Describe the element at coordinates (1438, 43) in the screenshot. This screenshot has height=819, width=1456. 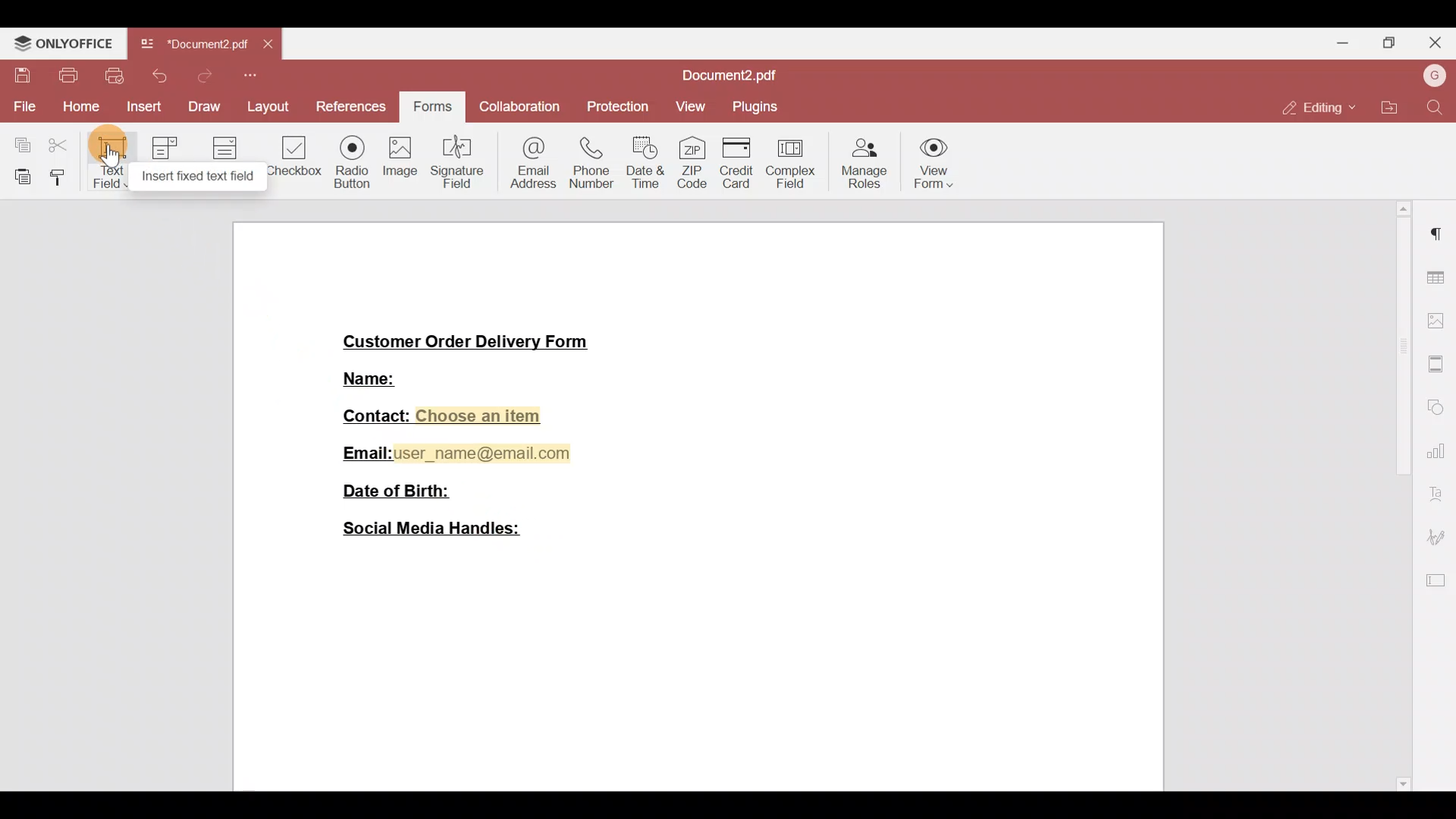
I see `Close` at that location.